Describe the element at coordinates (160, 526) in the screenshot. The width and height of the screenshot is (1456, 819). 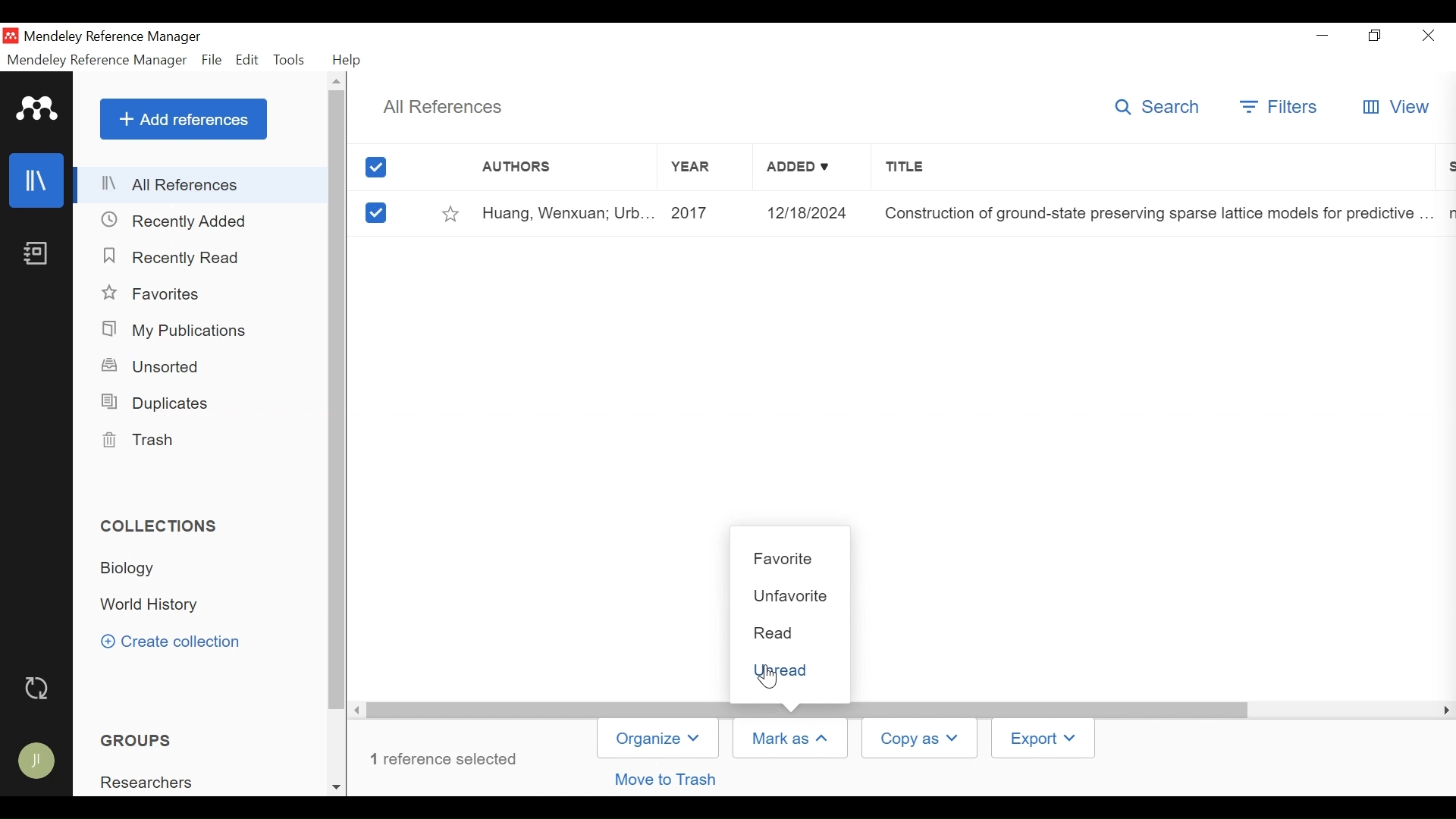
I see `Collections` at that location.